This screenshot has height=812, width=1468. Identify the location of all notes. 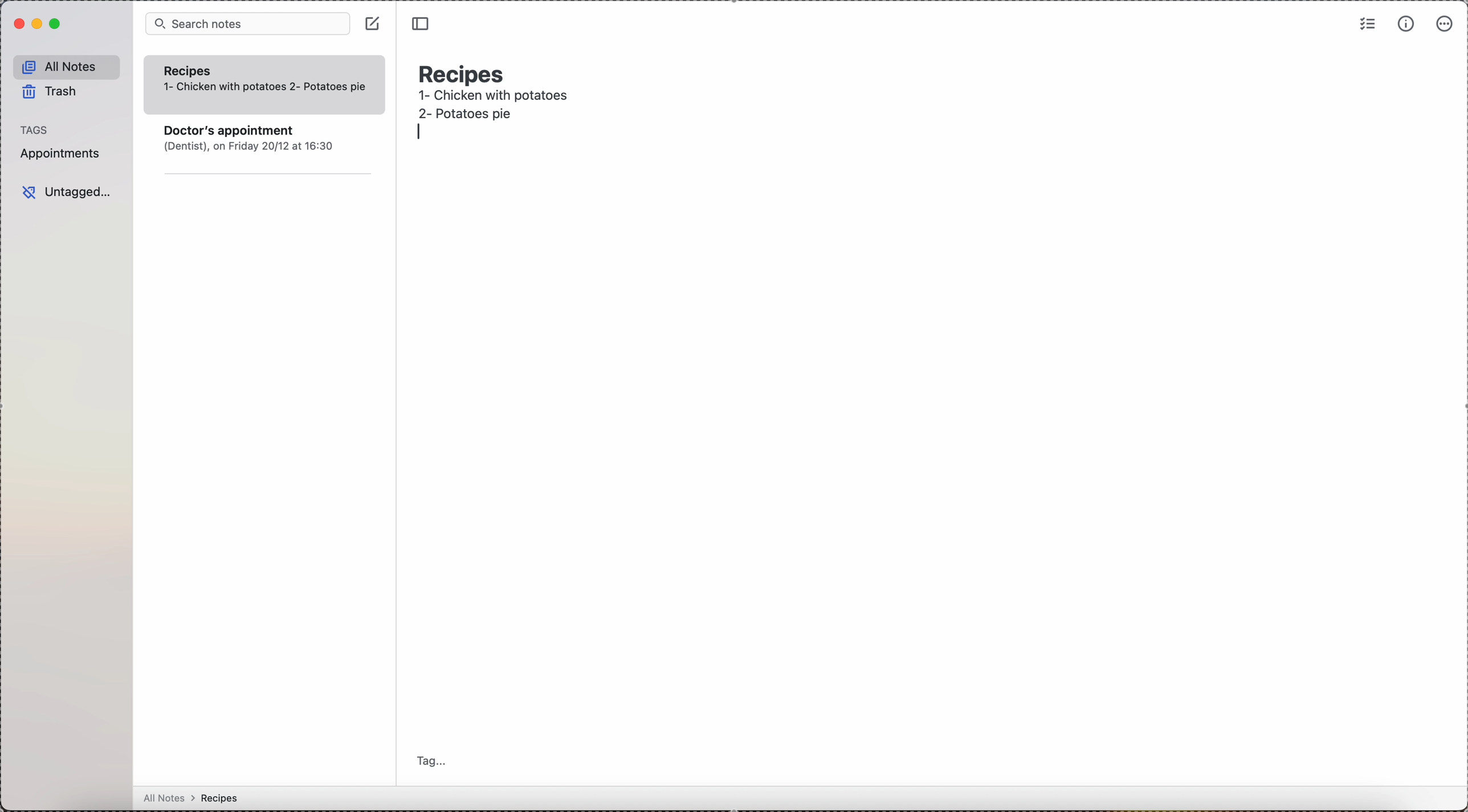
(67, 66).